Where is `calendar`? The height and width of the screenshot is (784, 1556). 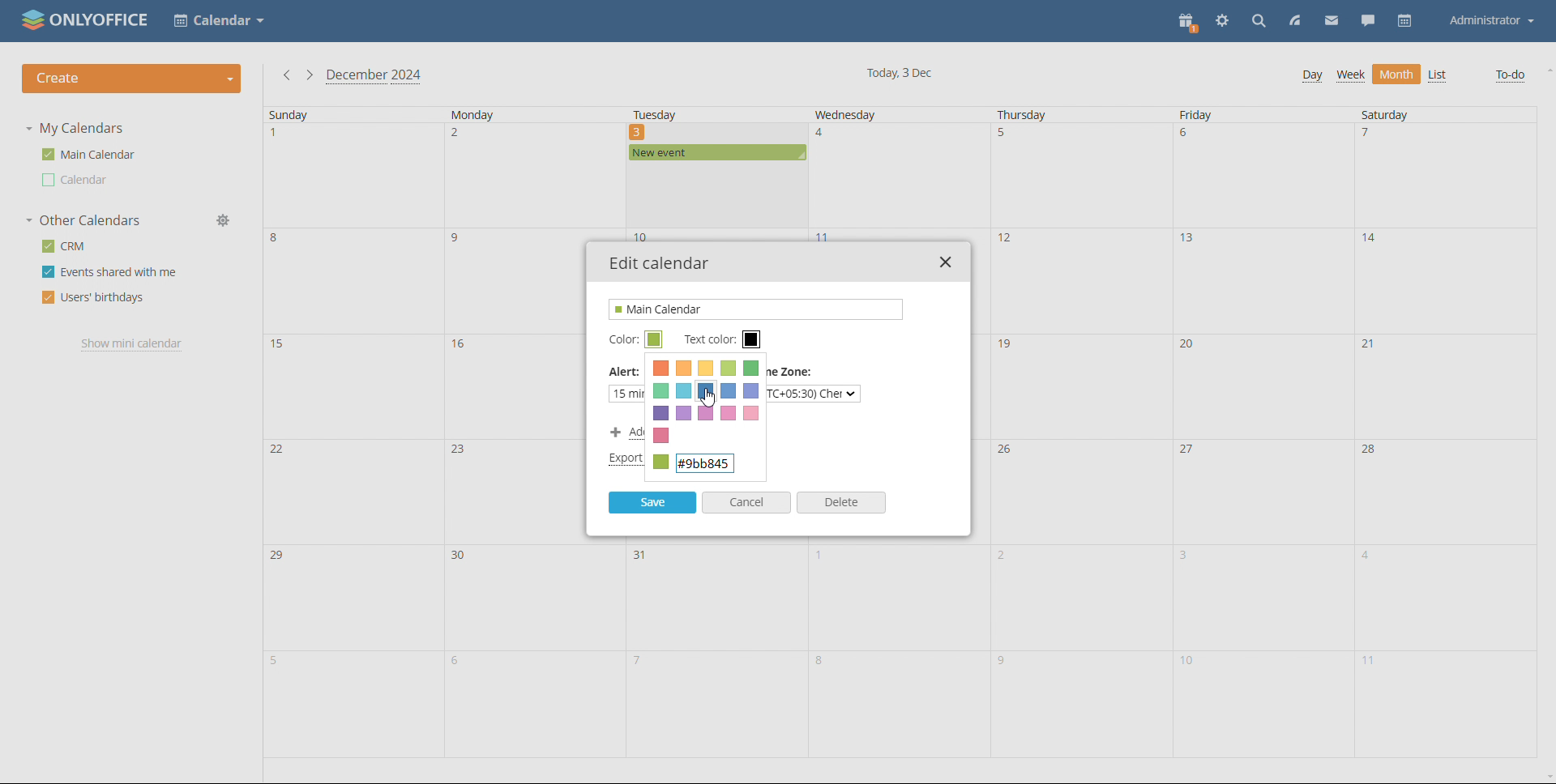
calendar is located at coordinates (1404, 21).